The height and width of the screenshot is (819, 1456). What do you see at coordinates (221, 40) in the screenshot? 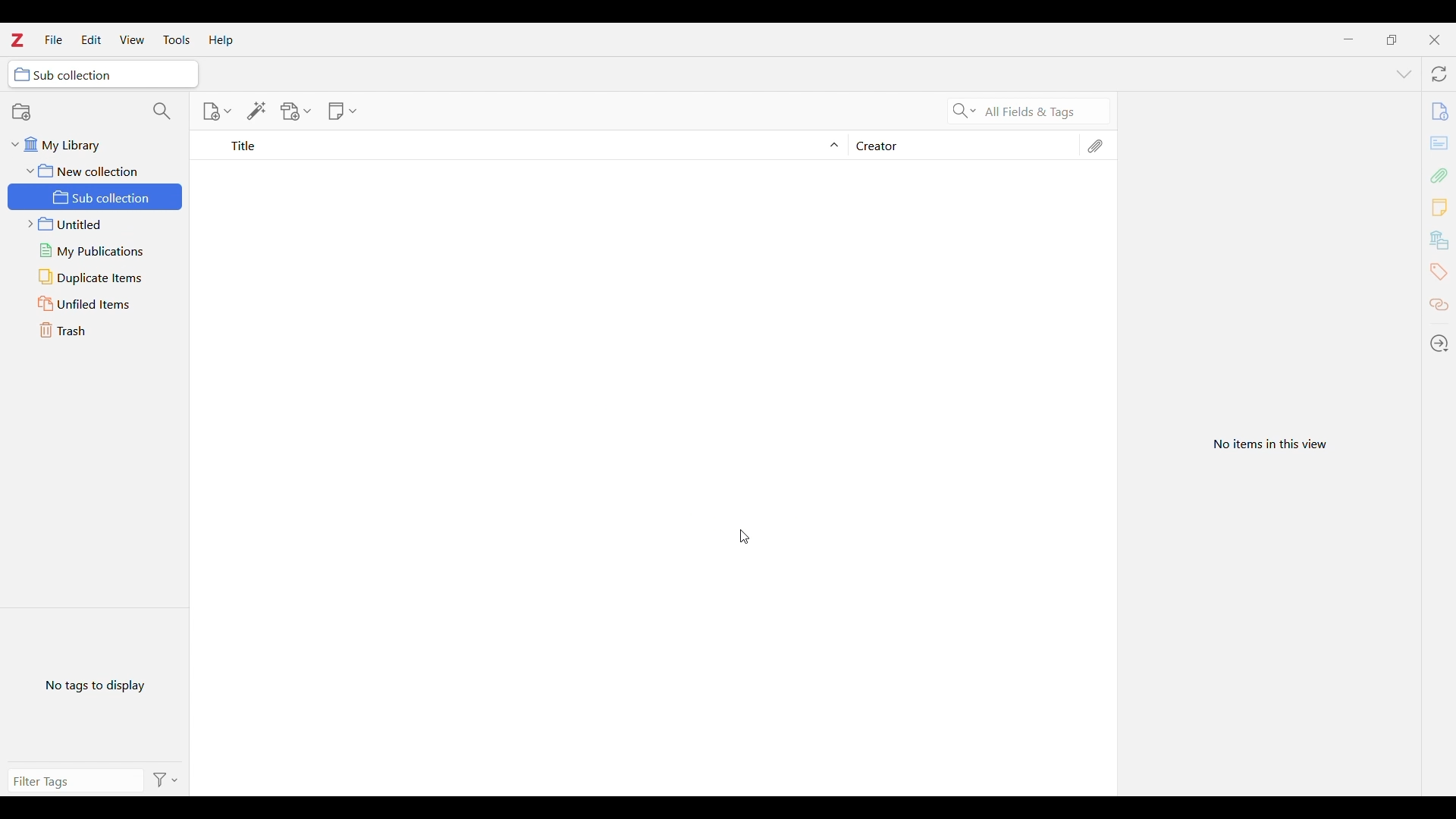
I see `Help menu` at bounding box center [221, 40].